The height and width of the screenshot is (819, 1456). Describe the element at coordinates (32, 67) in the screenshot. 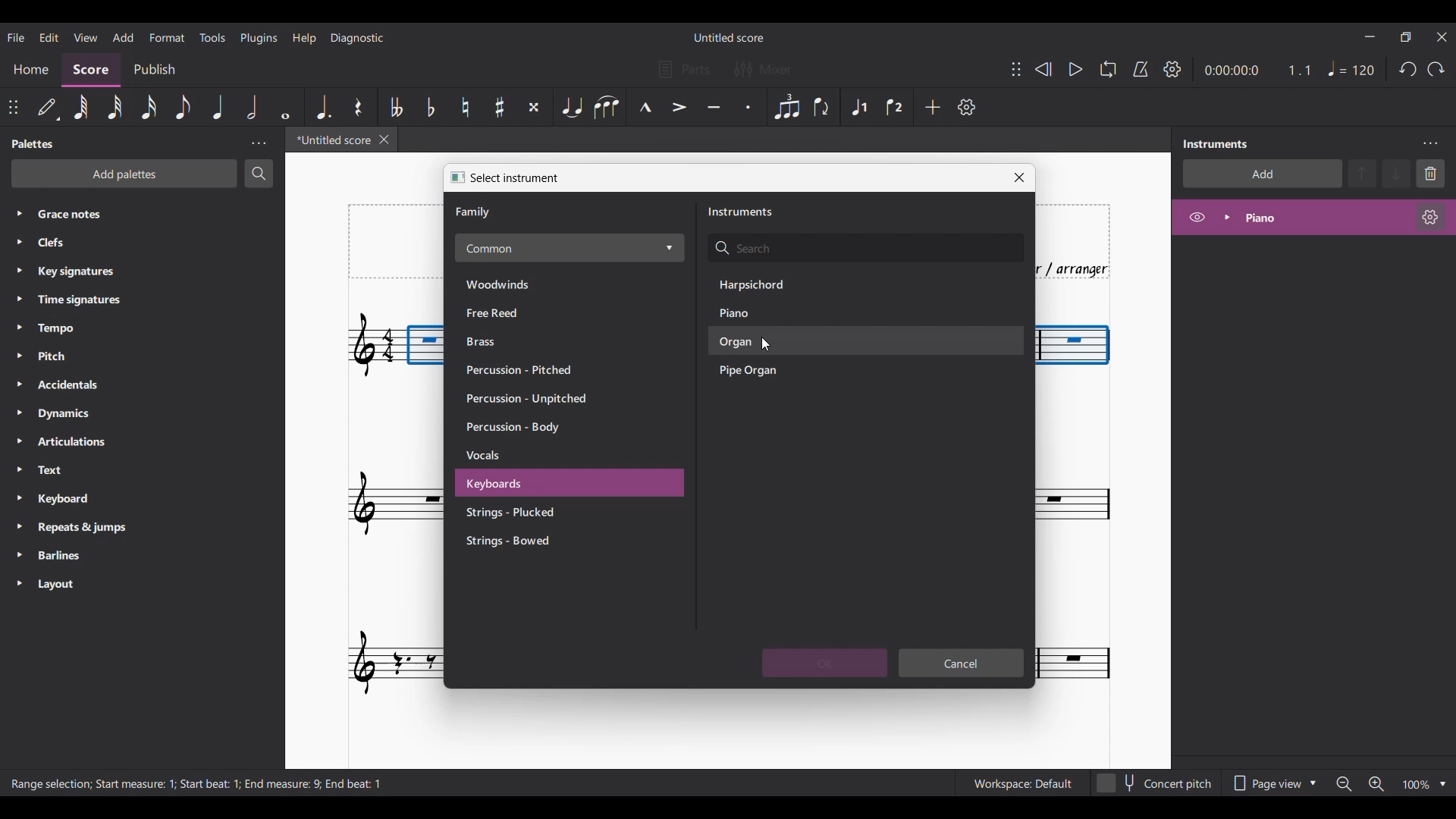

I see `Home section` at that location.